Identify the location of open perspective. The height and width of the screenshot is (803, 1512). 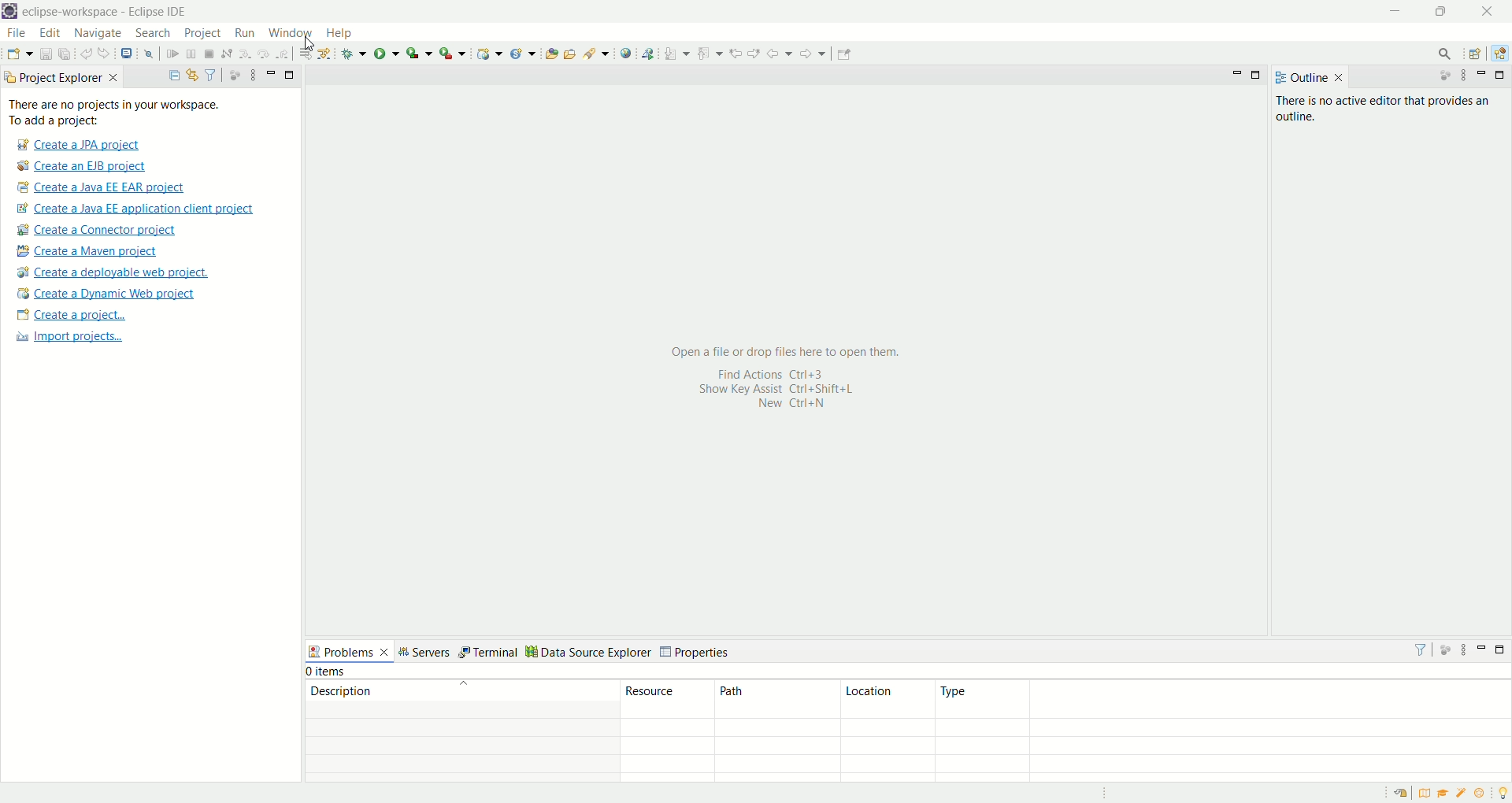
(1473, 52).